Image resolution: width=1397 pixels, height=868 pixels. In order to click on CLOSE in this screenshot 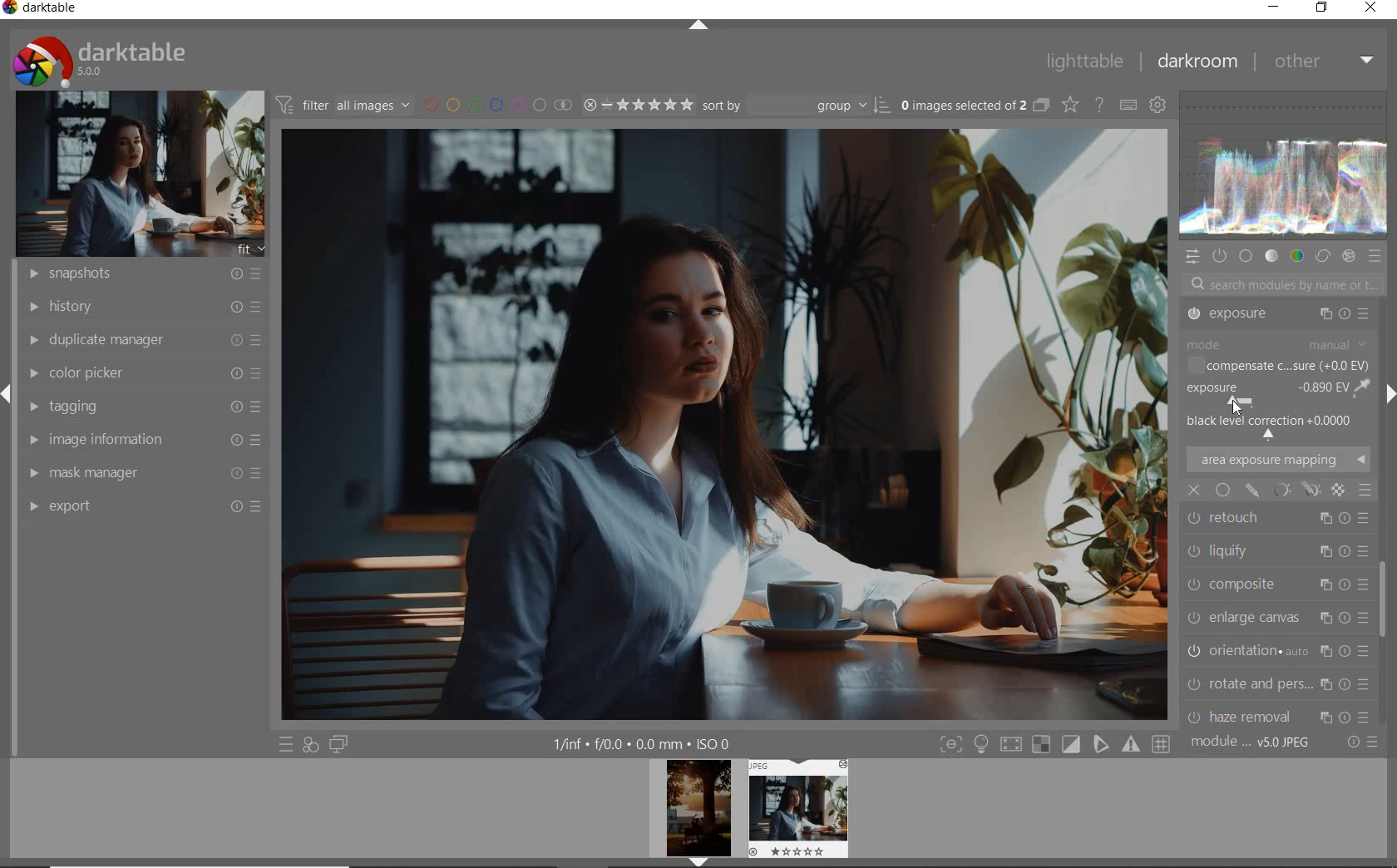, I will do `click(1370, 8)`.